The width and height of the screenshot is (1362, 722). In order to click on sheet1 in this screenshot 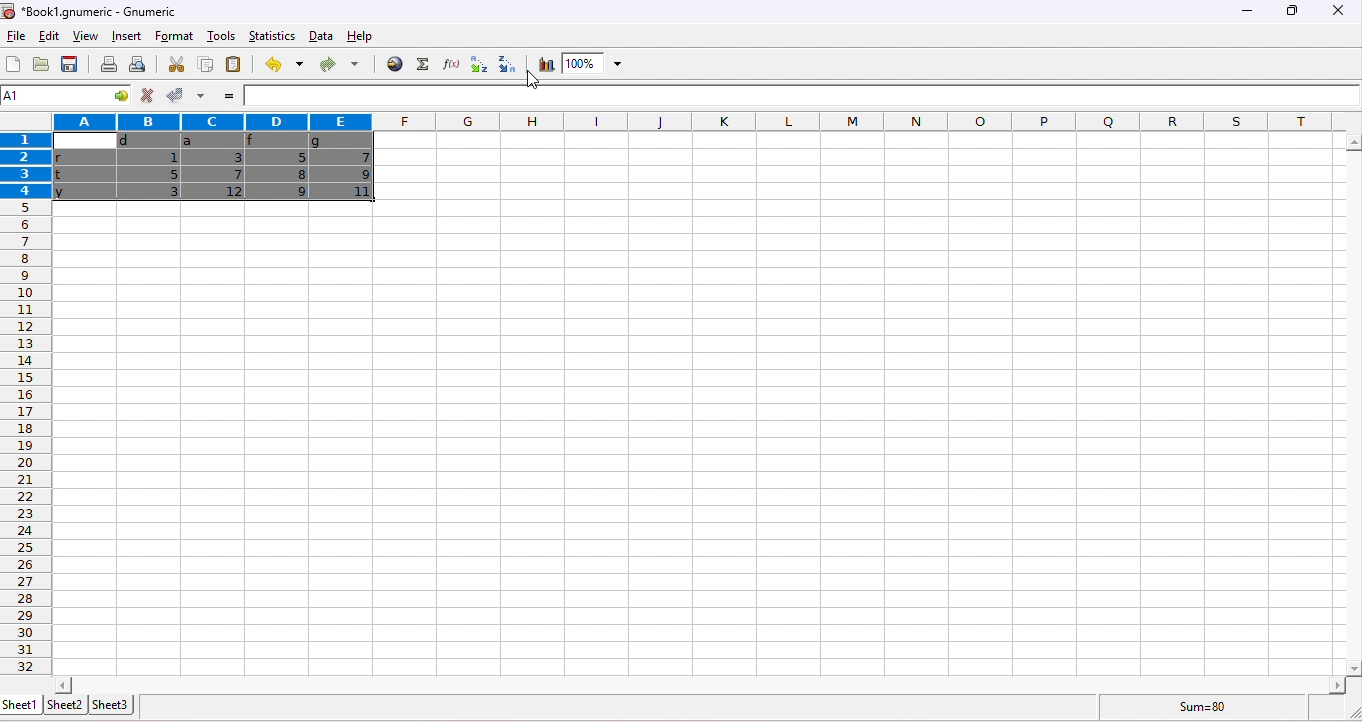, I will do `click(20, 704)`.